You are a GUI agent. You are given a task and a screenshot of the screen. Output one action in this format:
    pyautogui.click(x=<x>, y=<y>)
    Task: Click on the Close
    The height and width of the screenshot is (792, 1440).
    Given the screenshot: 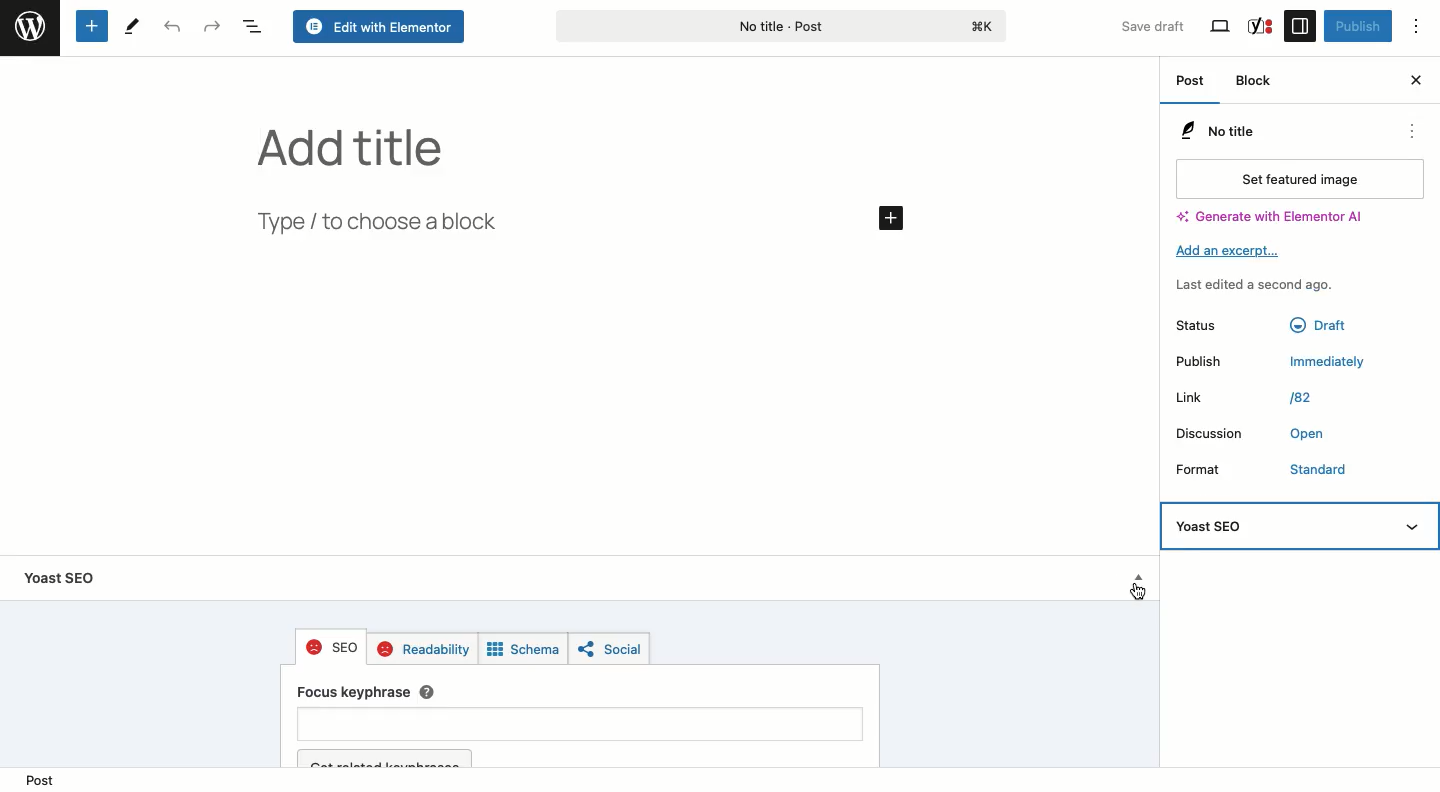 What is the action you would take?
    pyautogui.click(x=1415, y=78)
    